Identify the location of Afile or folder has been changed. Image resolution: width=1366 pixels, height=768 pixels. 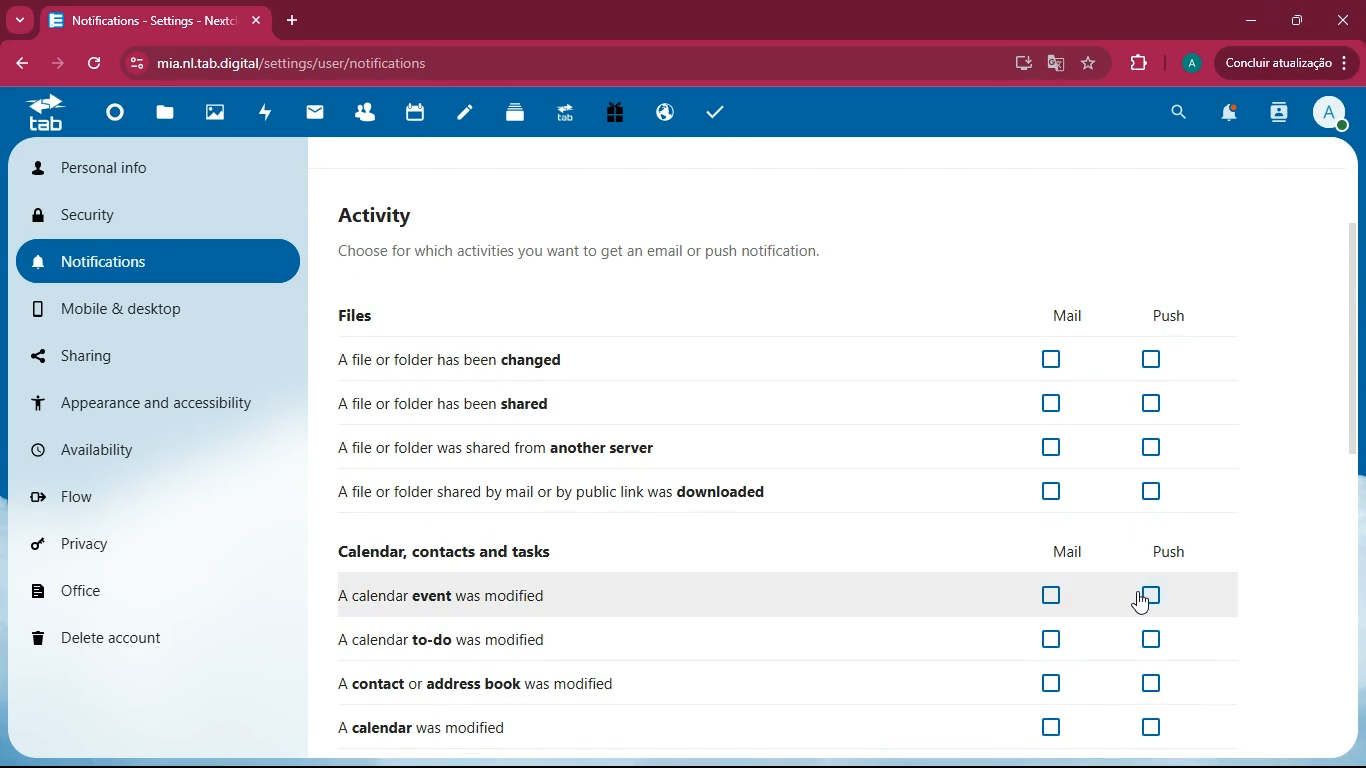
(446, 361).